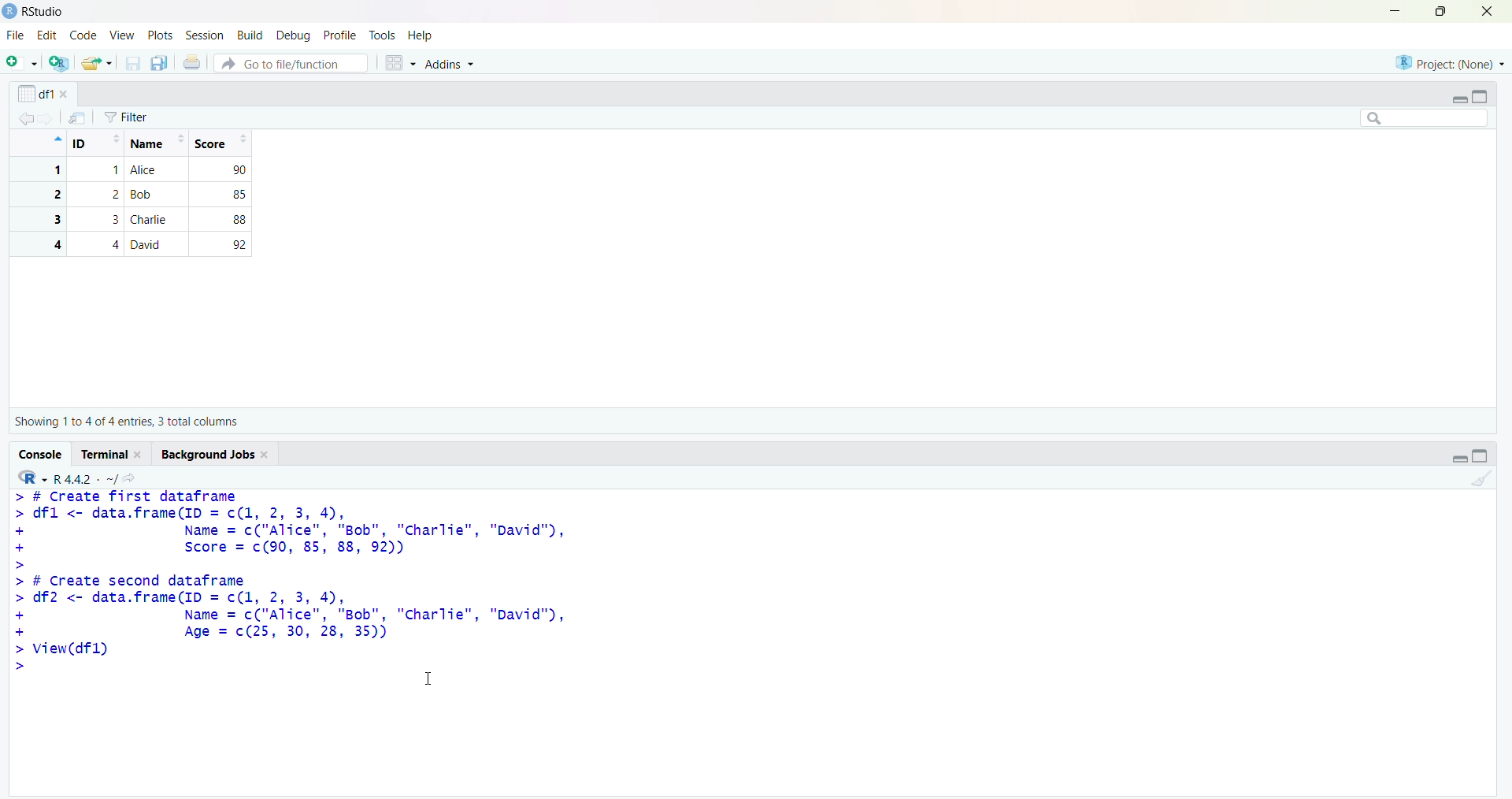 The width and height of the screenshot is (1512, 799). Describe the element at coordinates (25, 62) in the screenshot. I see `add file as` at that location.